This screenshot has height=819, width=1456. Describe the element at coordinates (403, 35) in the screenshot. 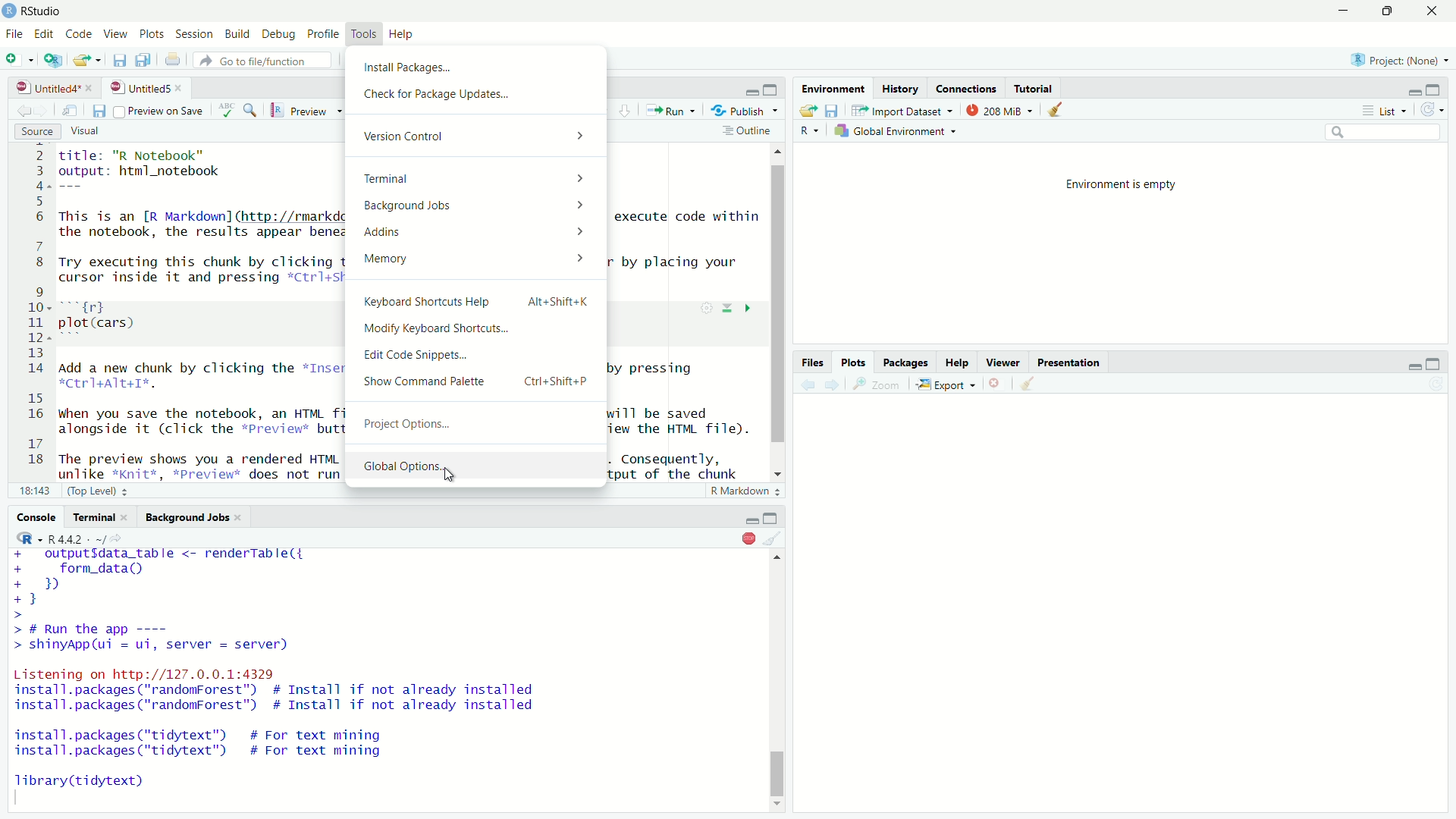

I see `Help` at that location.